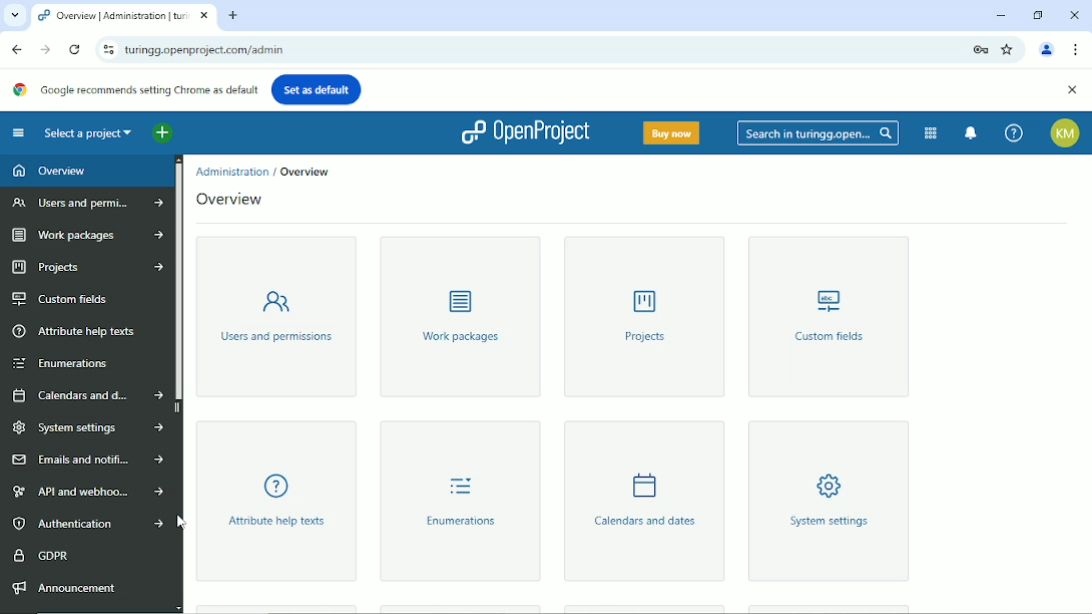 The image size is (1092, 614). What do you see at coordinates (162, 134) in the screenshot?
I see `Open quick add menu` at bounding box center [162, 134].